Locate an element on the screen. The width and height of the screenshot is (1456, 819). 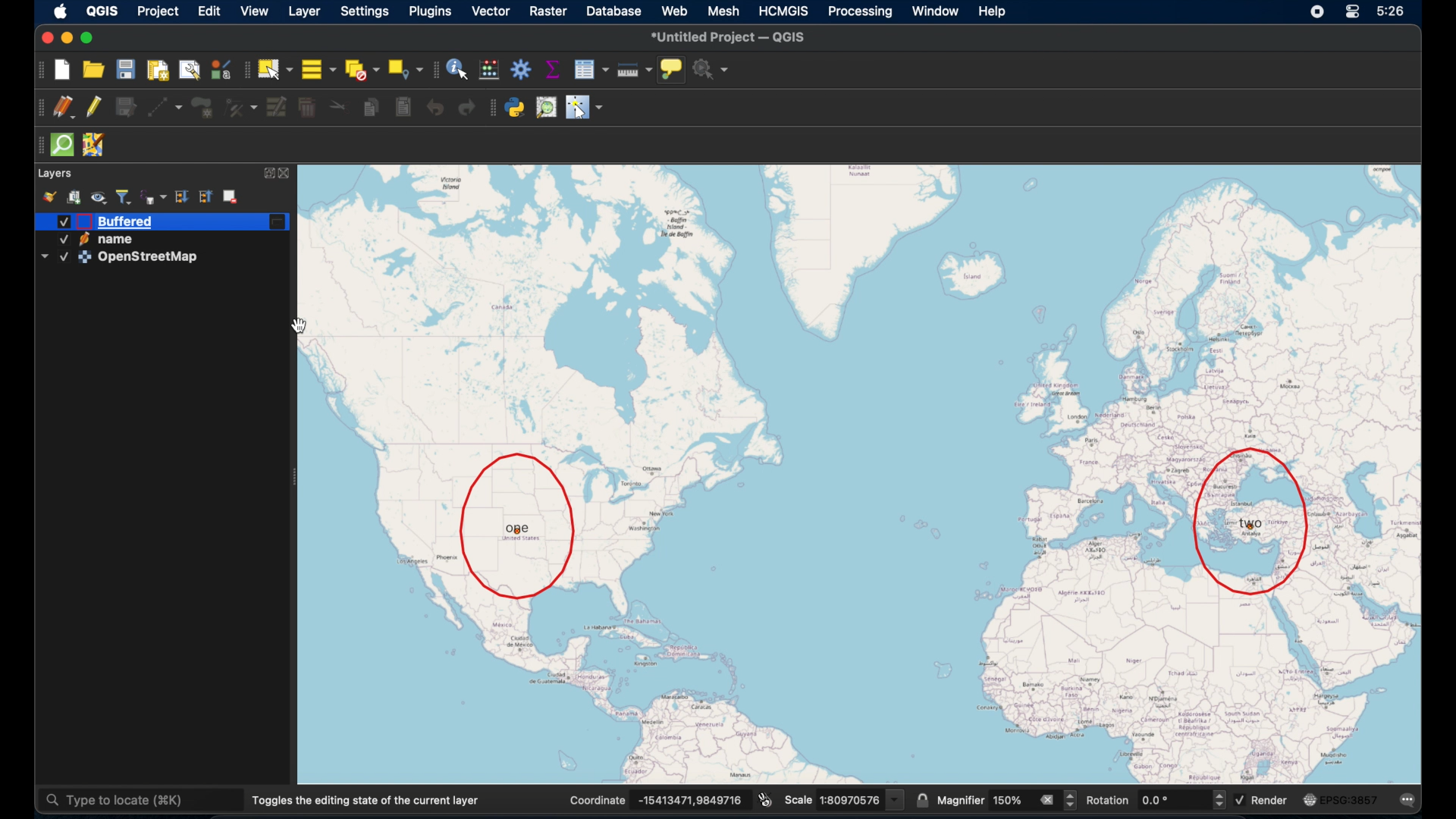
save project is located at coordinates (125, 69).